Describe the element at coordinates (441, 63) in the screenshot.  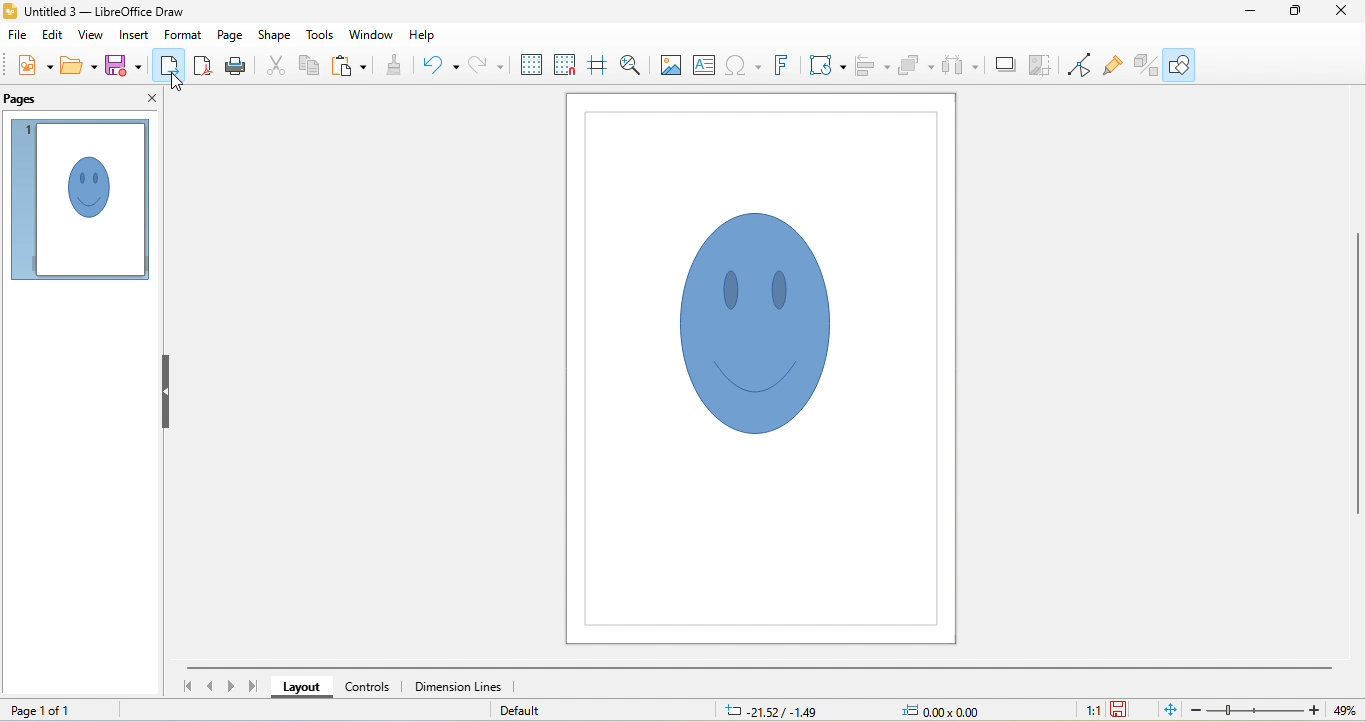
I see `undo` at that location.